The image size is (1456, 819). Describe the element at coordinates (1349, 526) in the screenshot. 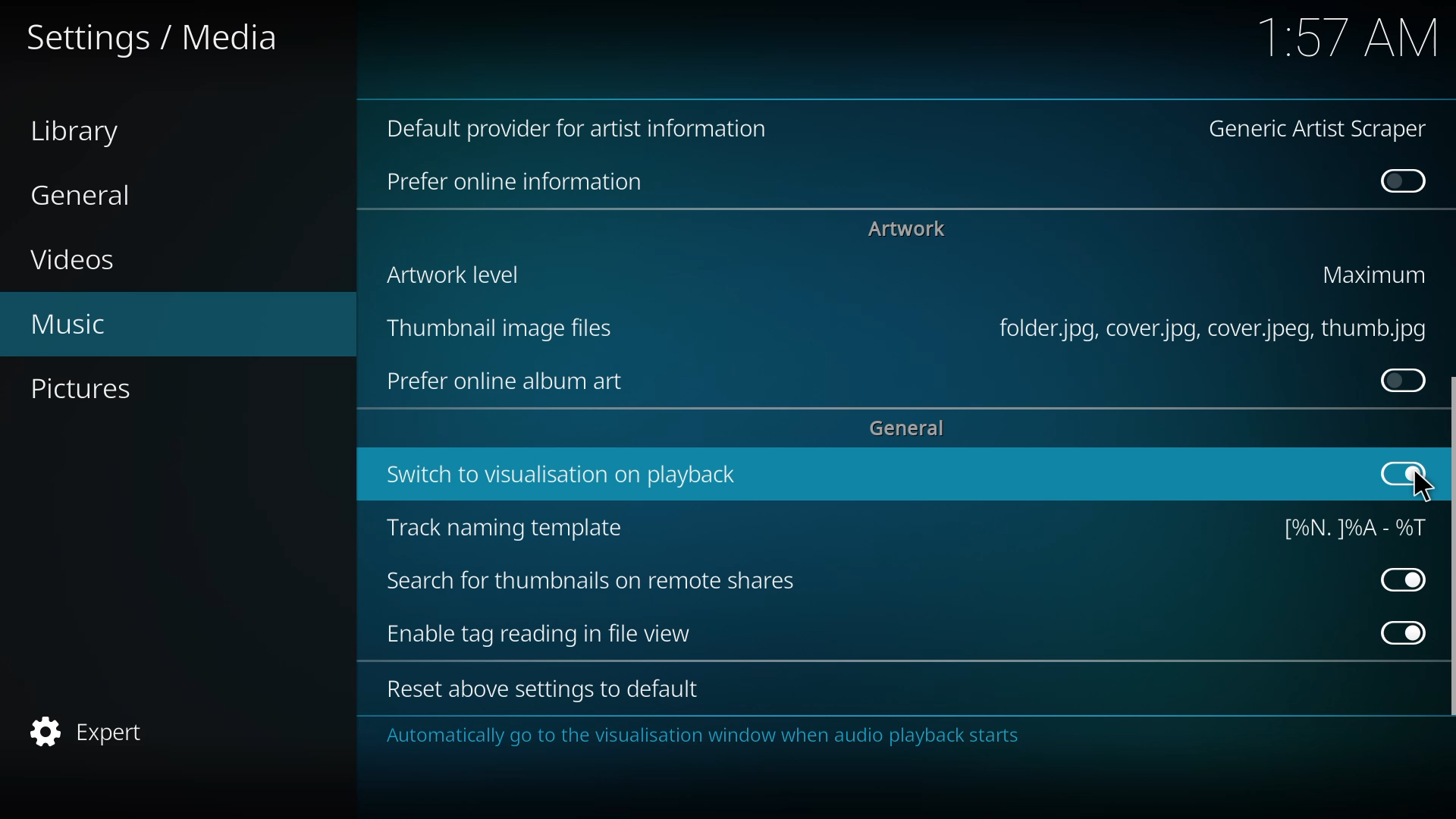

I see `template` at that location.